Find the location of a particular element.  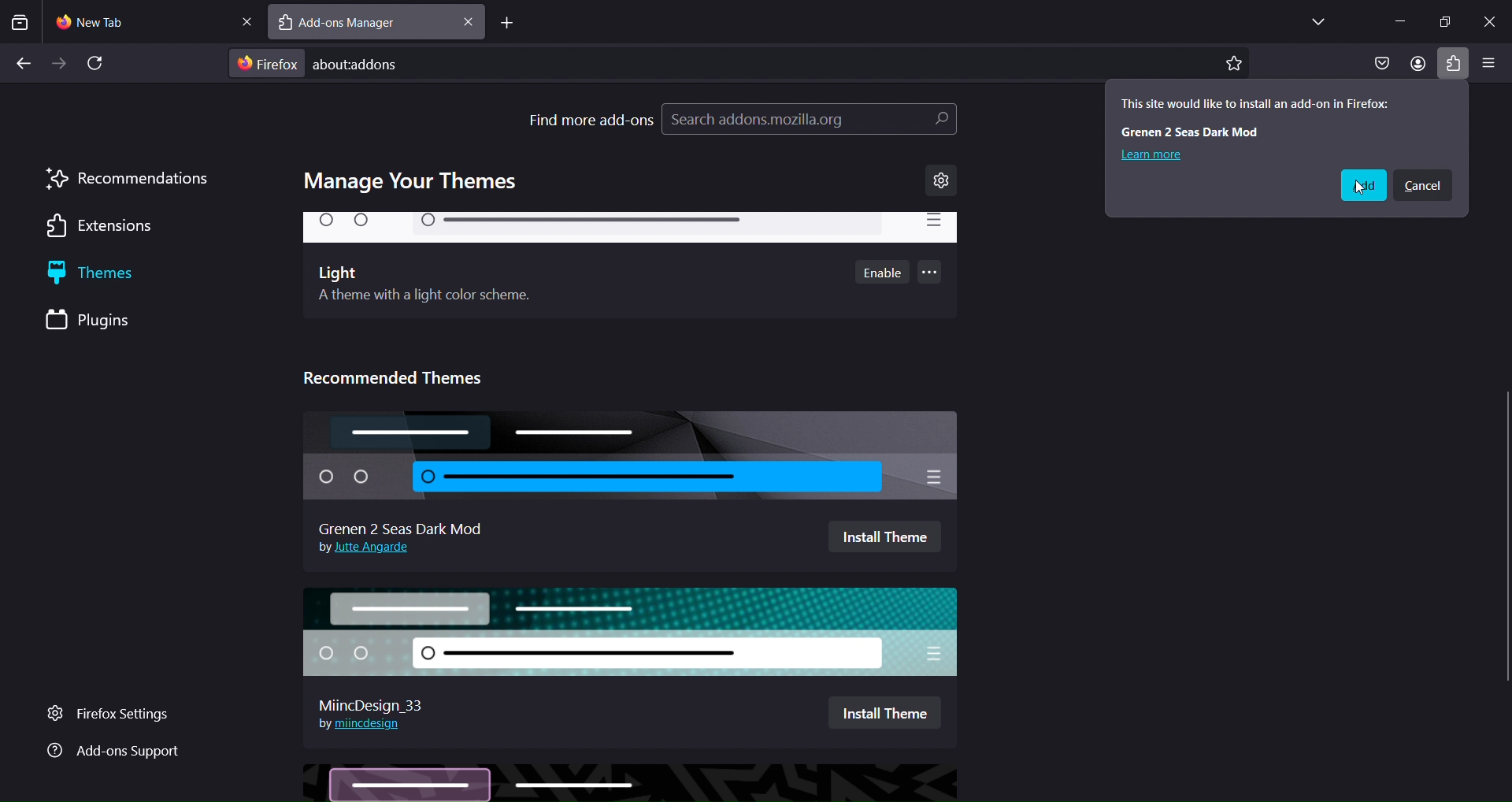

recommendations is located at coordinates (128, 179).